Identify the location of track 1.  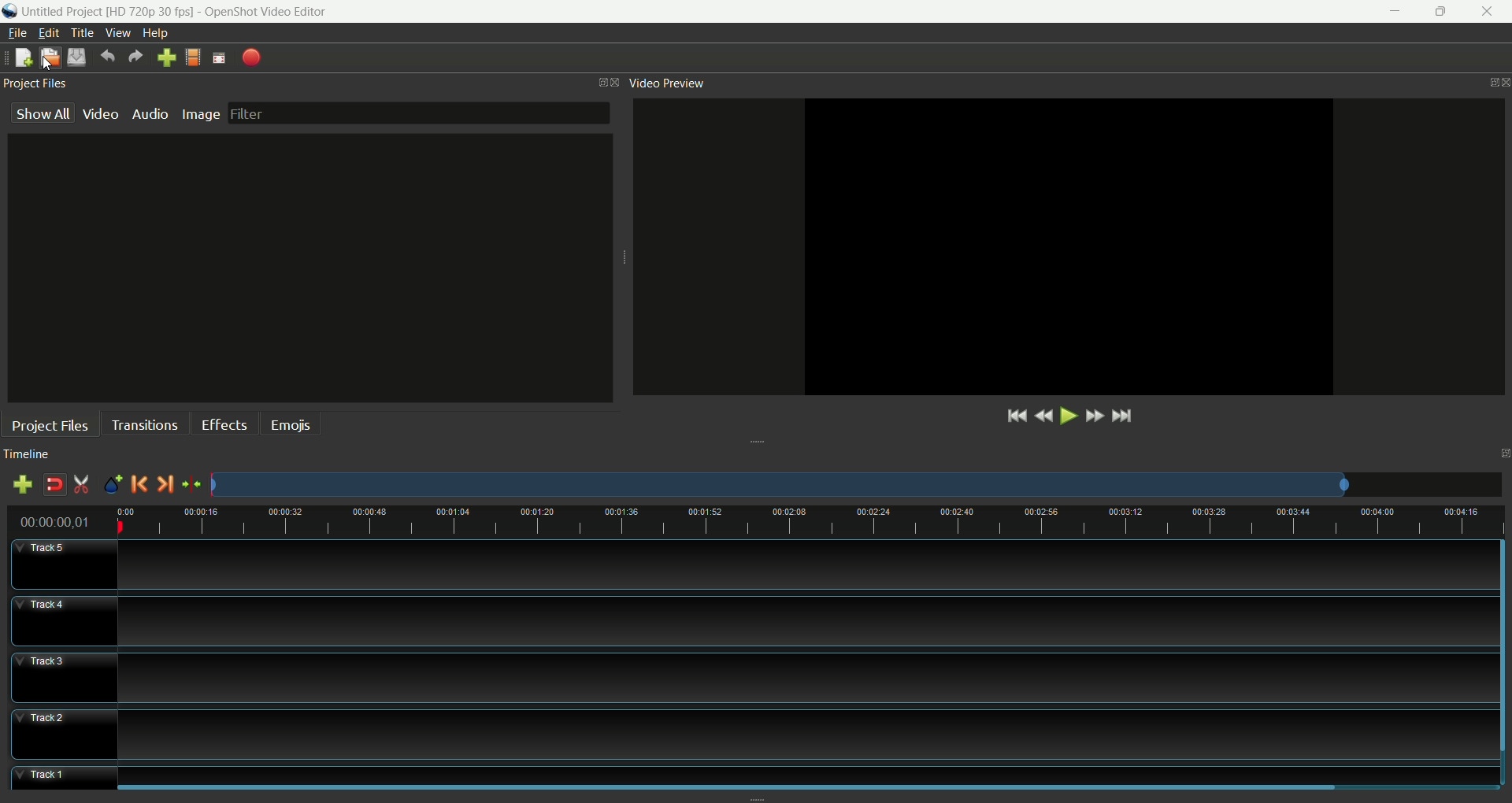
(806, 766).